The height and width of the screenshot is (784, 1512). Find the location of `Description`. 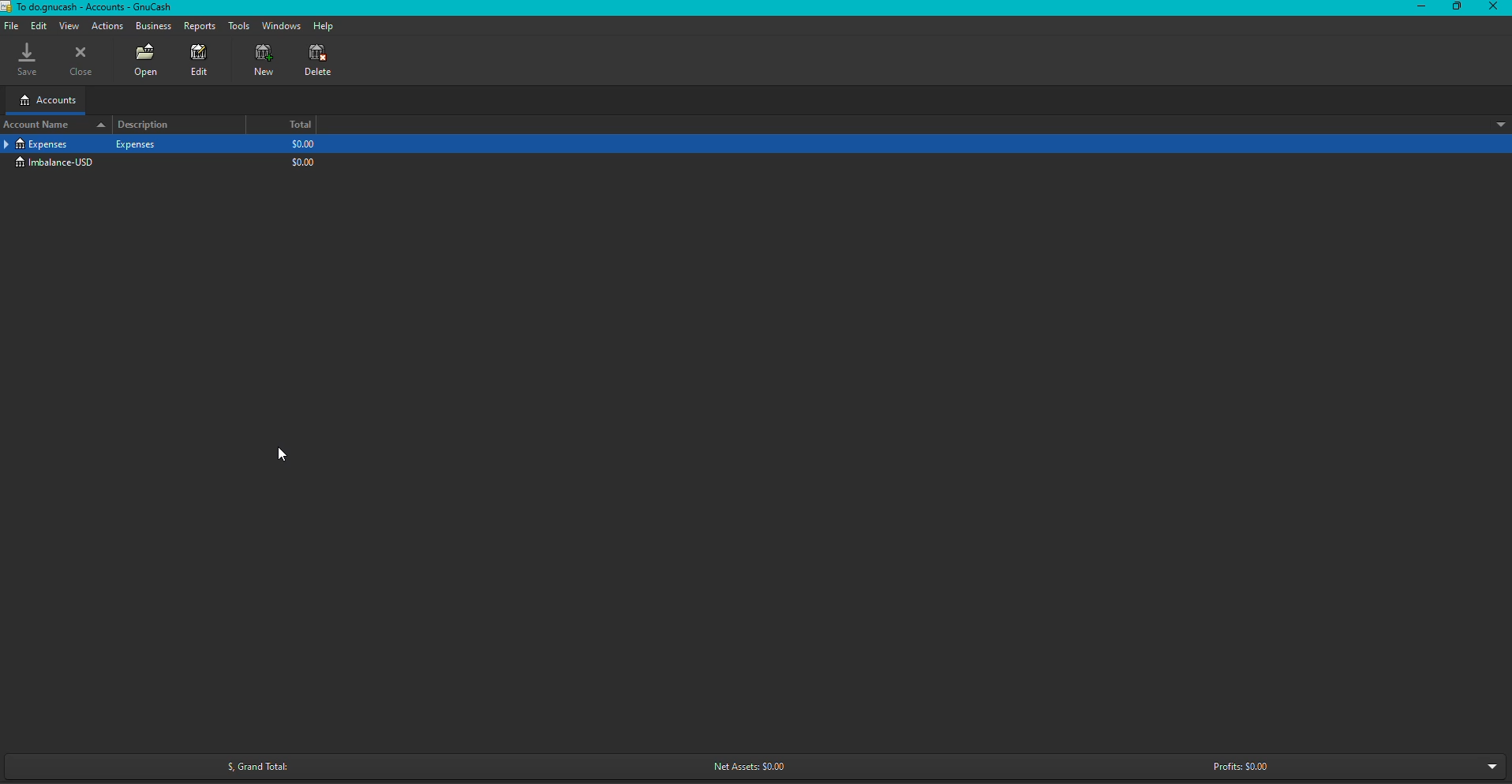

Description is located at coordinates (150, 125).